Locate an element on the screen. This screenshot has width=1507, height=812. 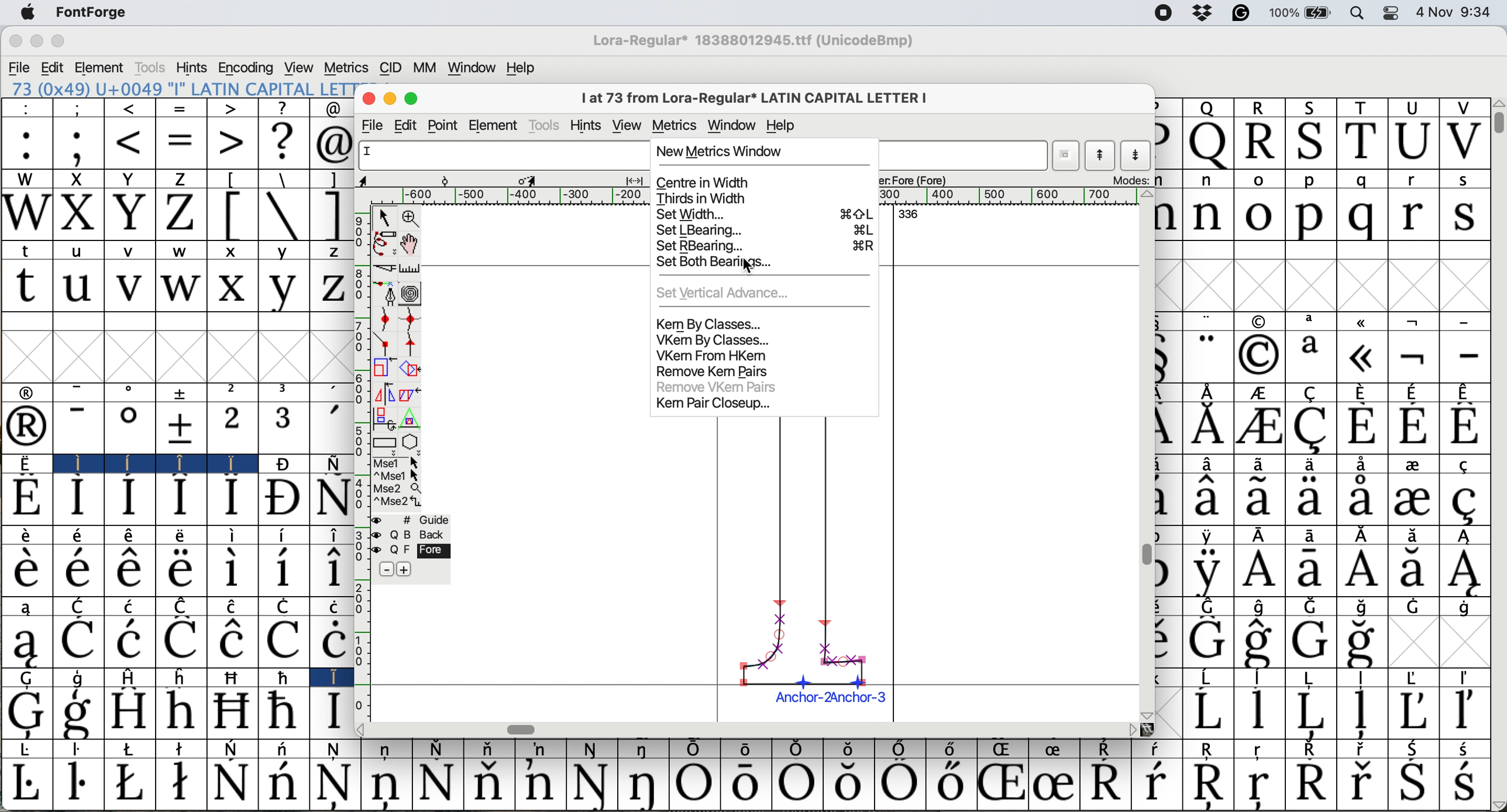
Symbol is located at coordinates (1260, 711).